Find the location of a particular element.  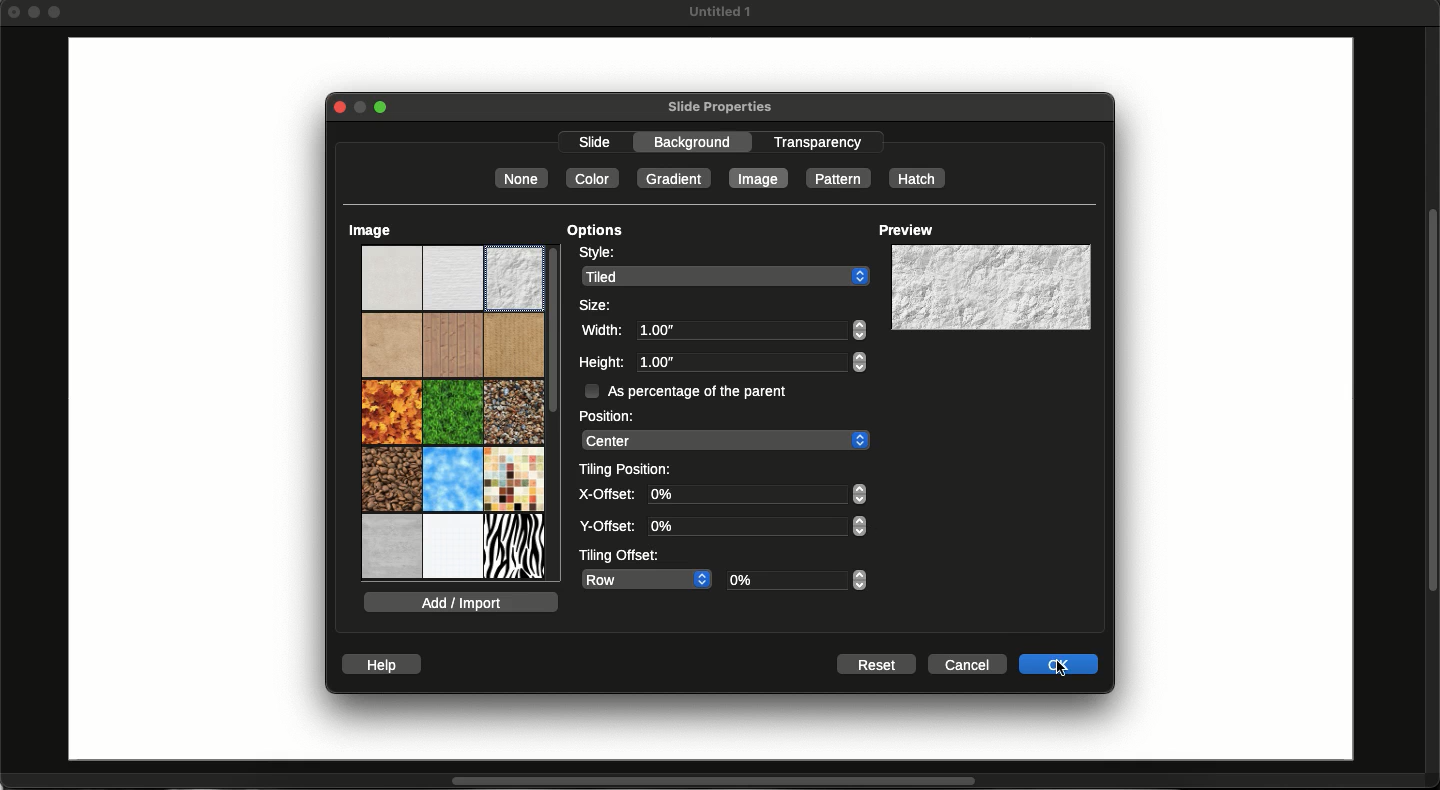

Checkbox is located at coordinates (590, 390).